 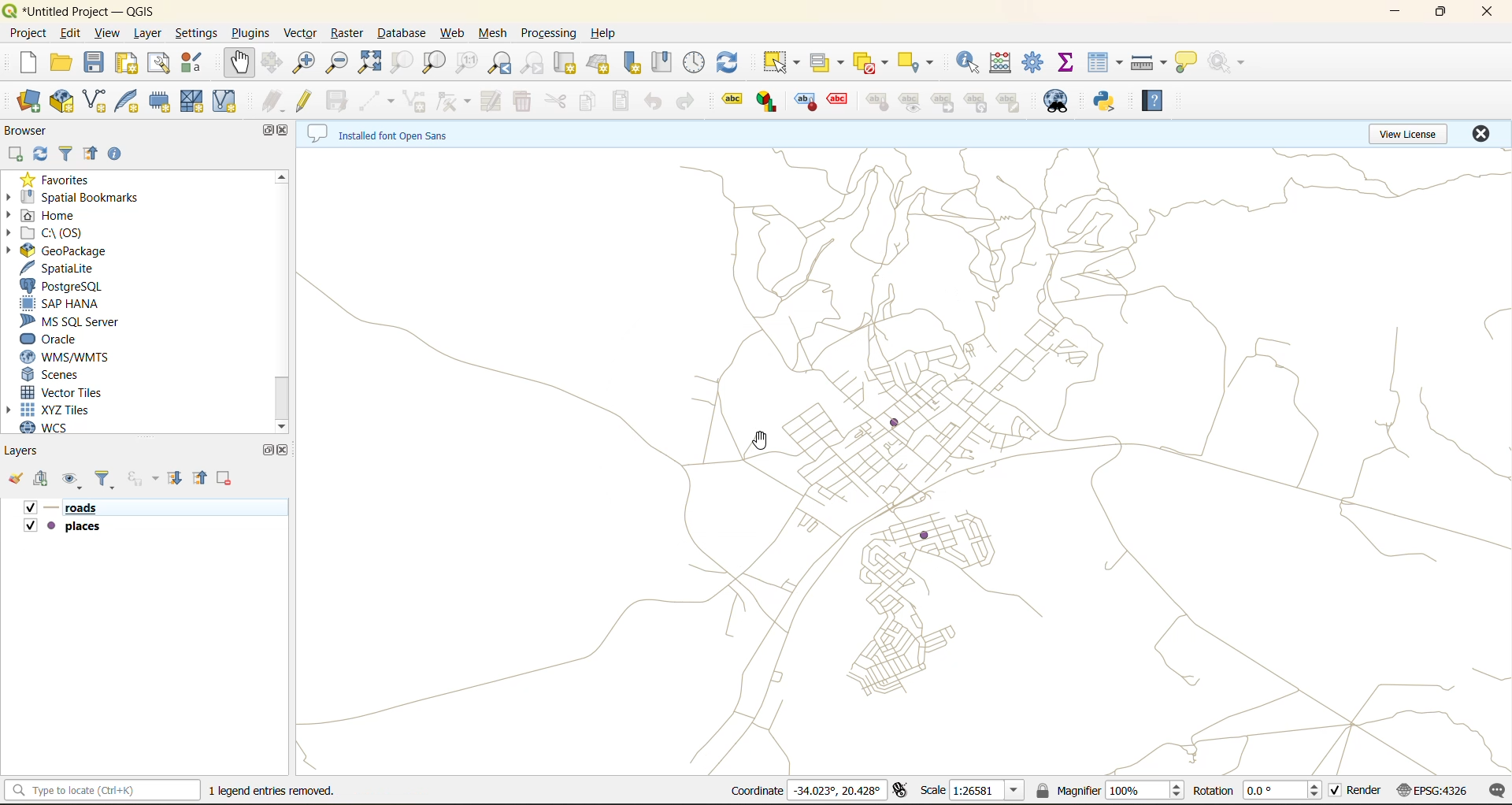 What do you see at coordinates (599, 61) in the screenshot?
I see `new 3d map` at bounding box center [599, 61].